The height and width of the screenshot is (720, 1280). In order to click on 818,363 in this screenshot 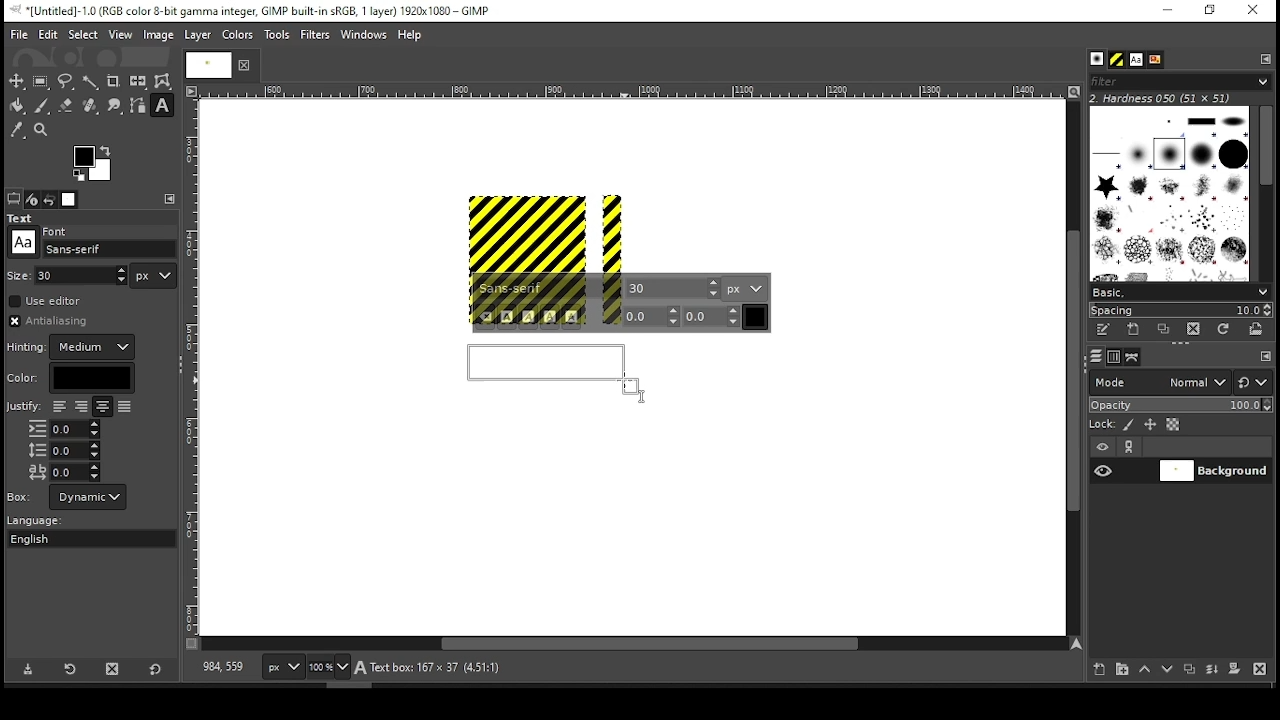, I will do `click(221, 667)`.